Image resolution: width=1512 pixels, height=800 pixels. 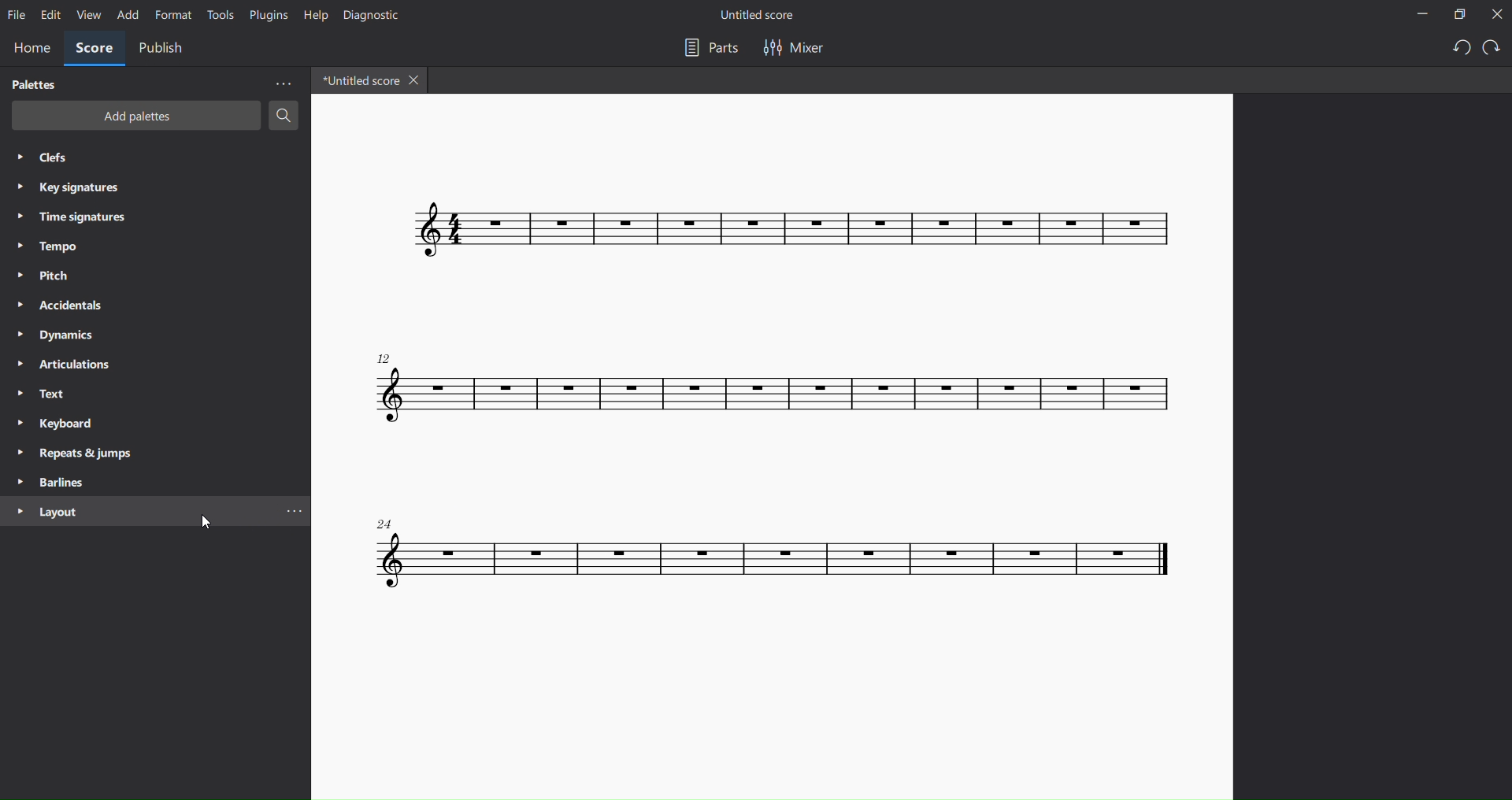 I want to click on search, so click(x=285, y=118).